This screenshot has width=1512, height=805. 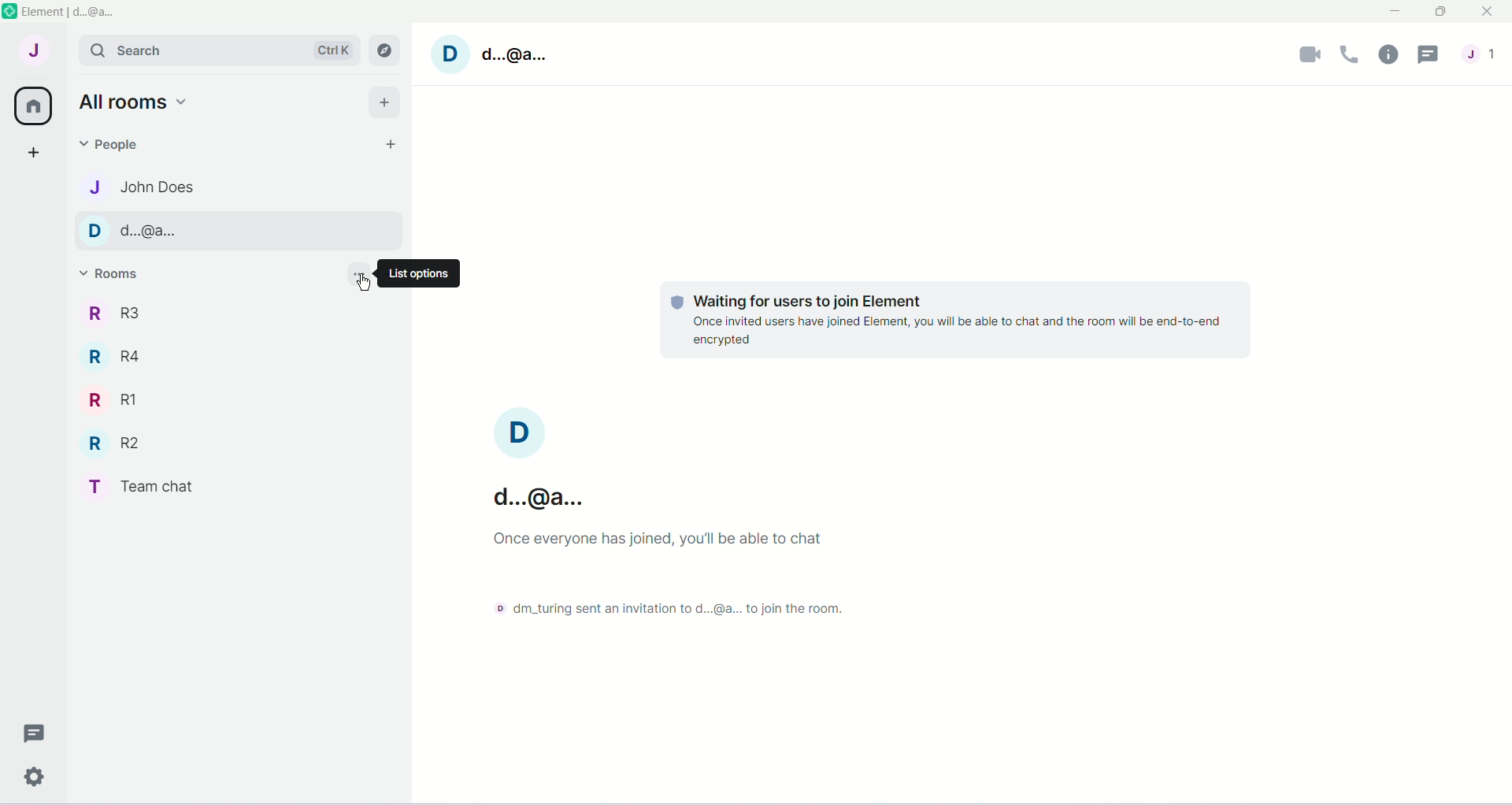 What do you see at coordinates (1440, 13) in the screenshot?
I see `Maximize` at bounding box center [1440, 13].